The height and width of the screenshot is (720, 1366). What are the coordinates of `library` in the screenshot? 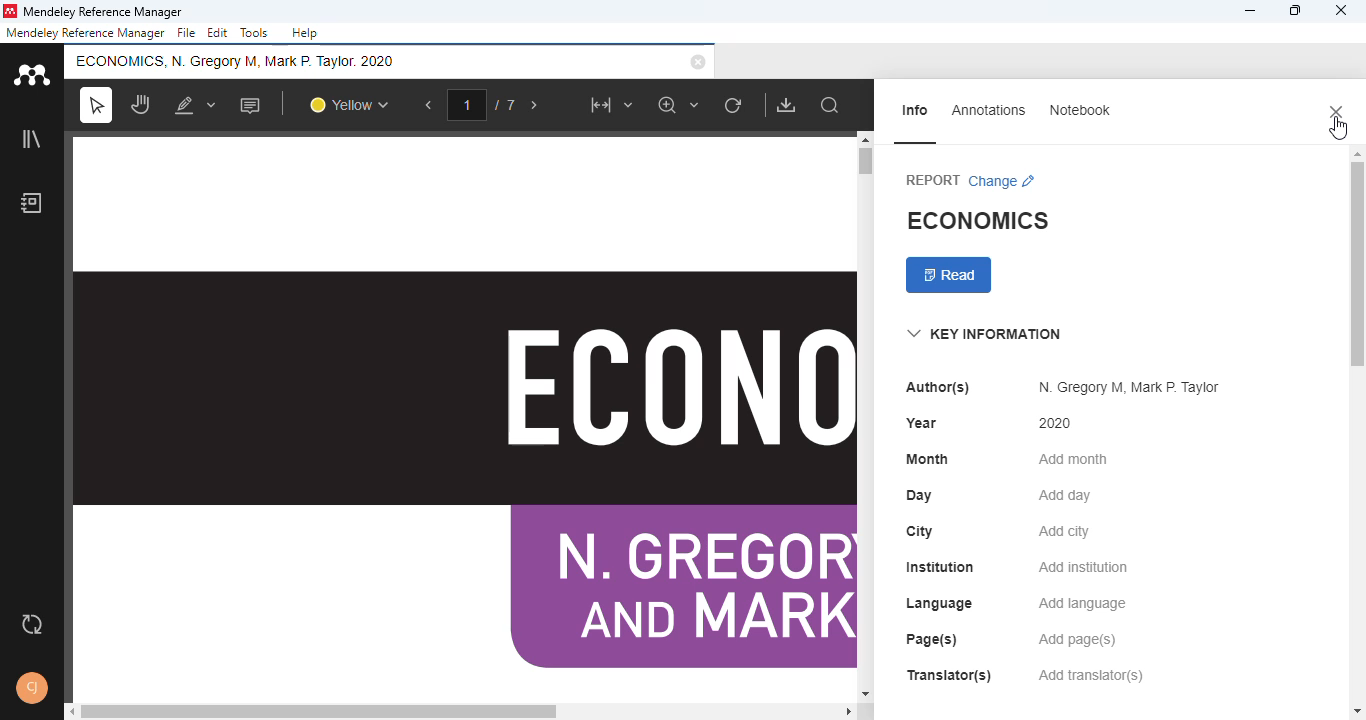 It's located at (32, 138).